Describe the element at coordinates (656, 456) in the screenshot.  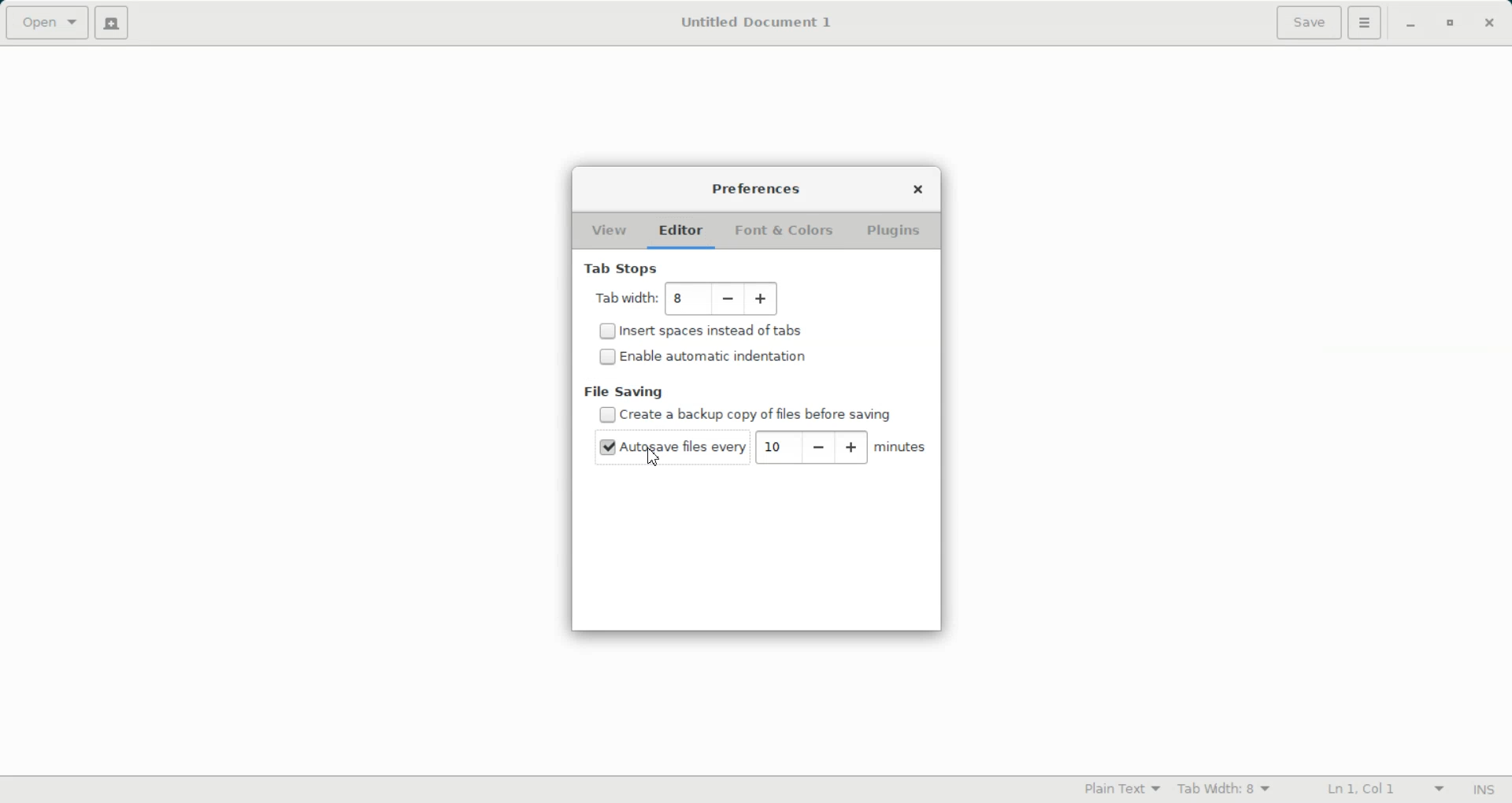
I see `Cursor` at that location.